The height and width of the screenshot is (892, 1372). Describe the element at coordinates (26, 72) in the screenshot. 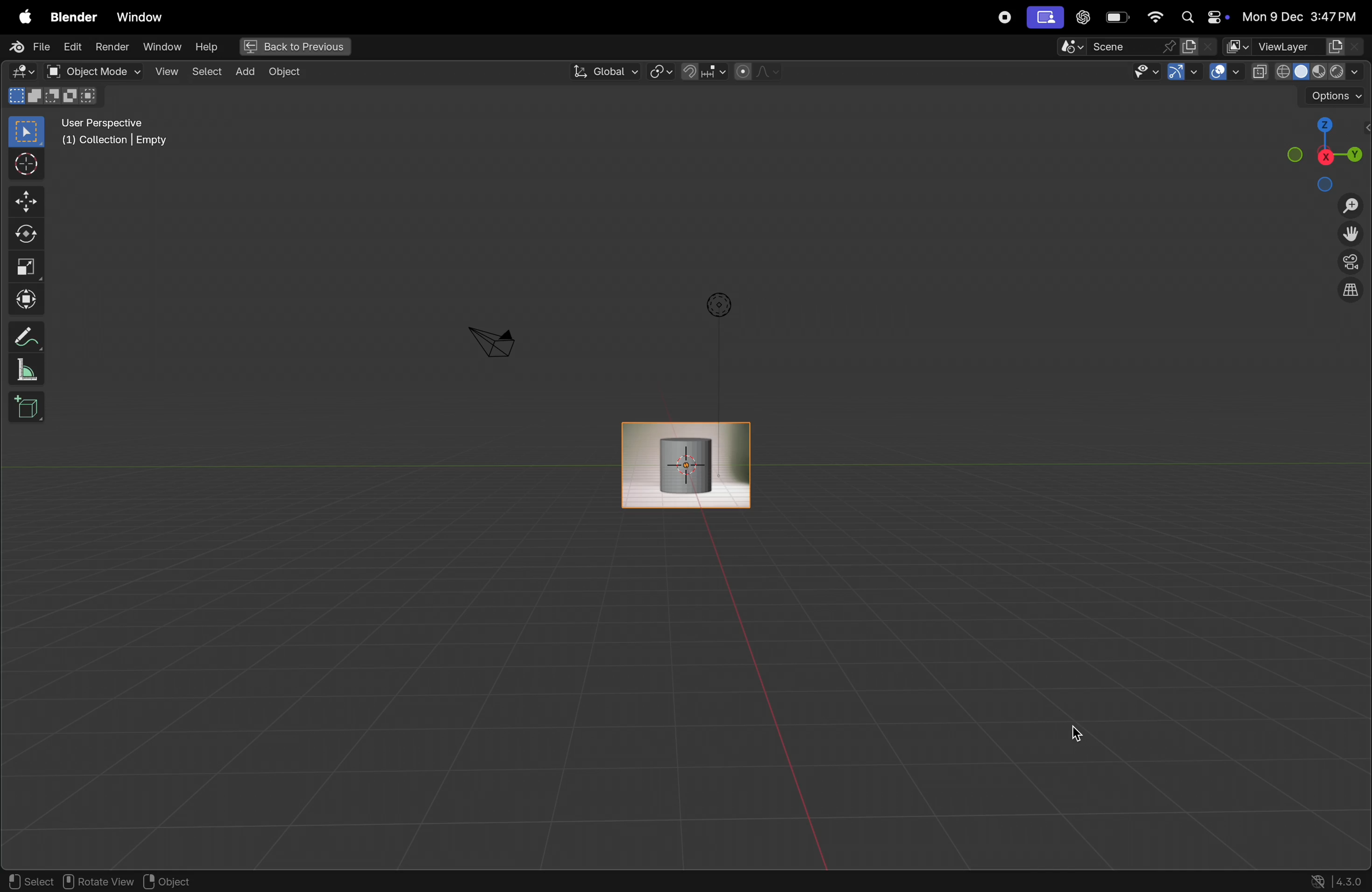

I see `editortype` at that location.